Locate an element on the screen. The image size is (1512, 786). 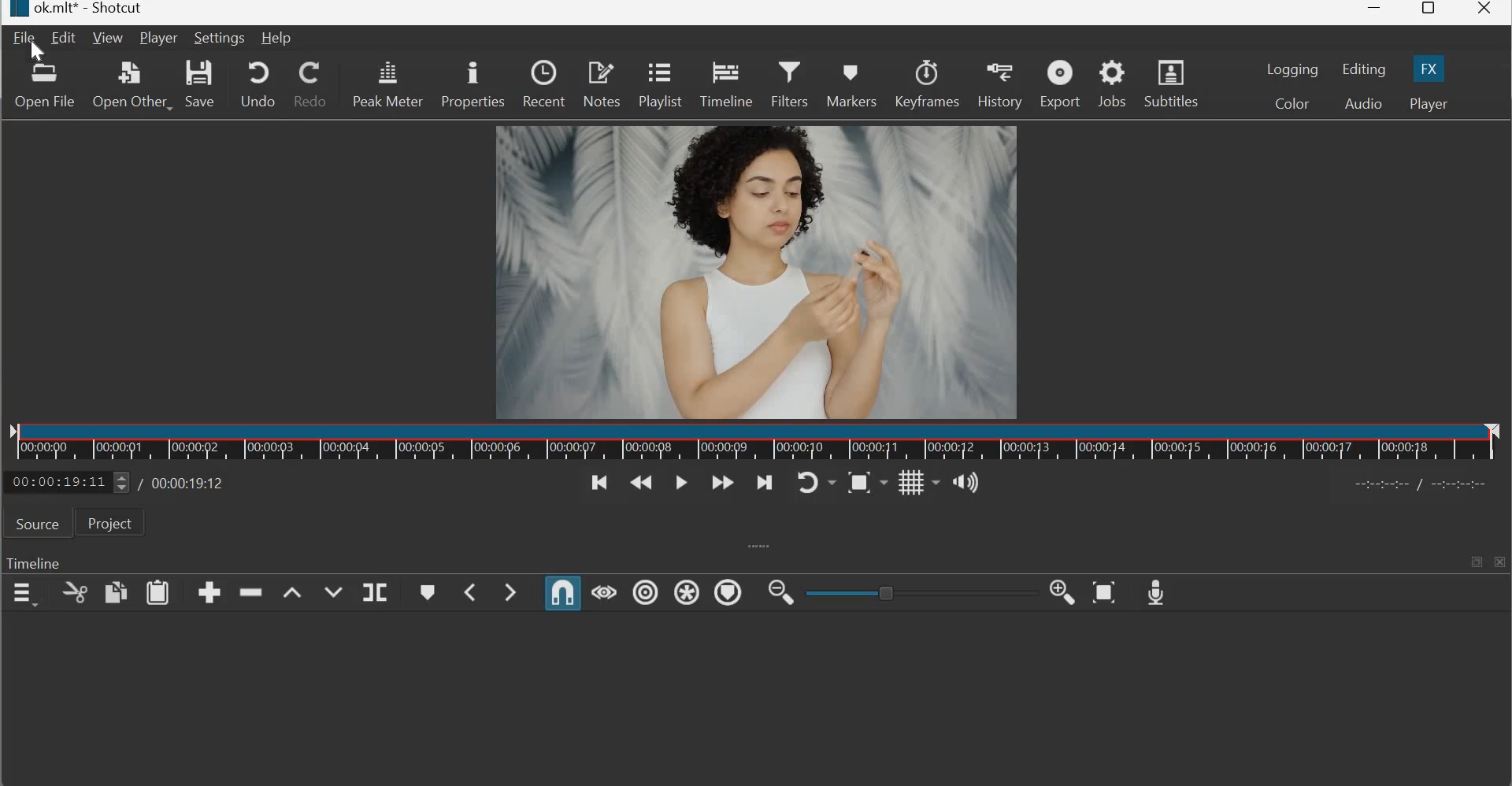
Snap is located at coordinates (564, 592).